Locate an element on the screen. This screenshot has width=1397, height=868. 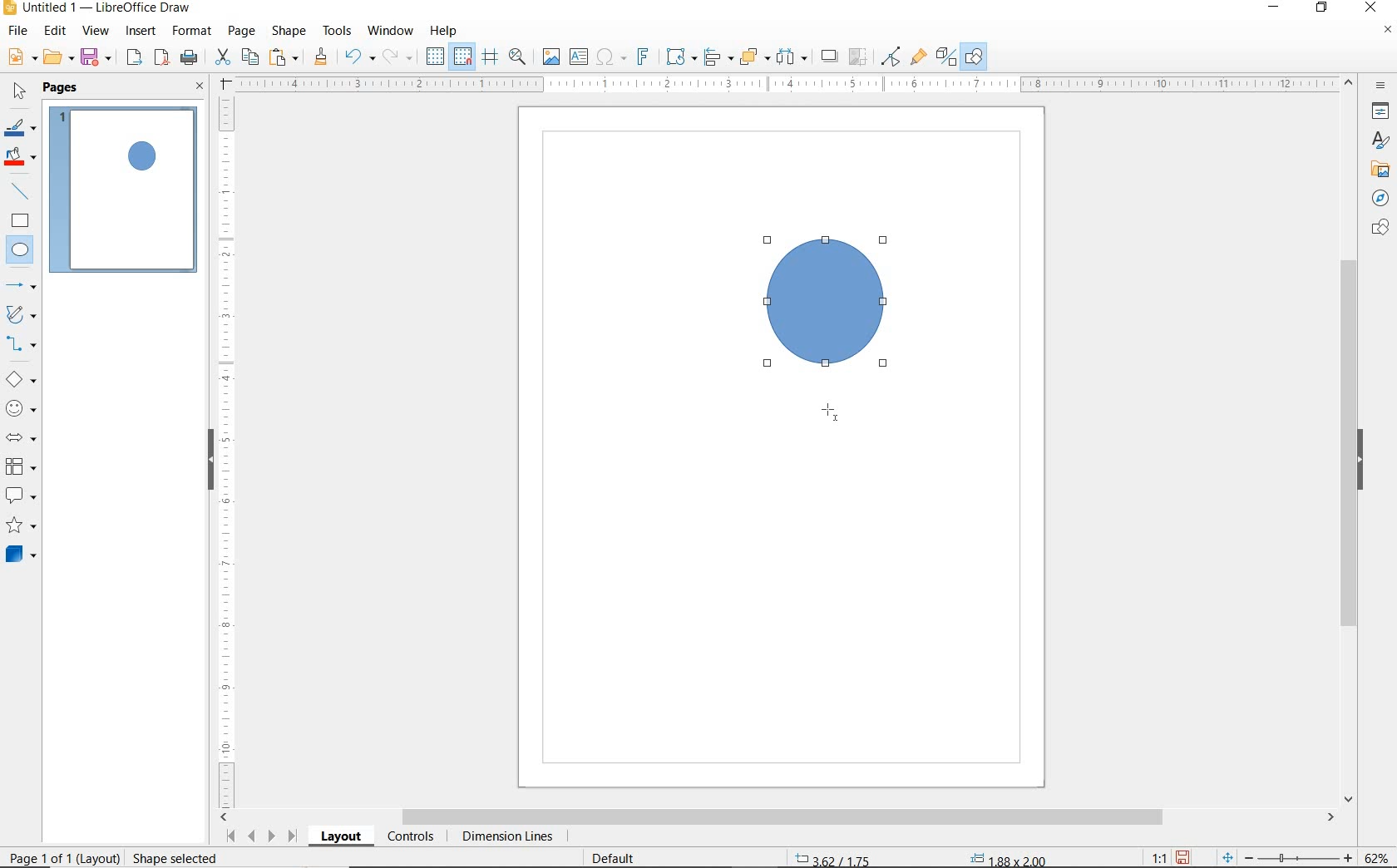
EXPORT AS PDF is located at coordinates (162, 59).